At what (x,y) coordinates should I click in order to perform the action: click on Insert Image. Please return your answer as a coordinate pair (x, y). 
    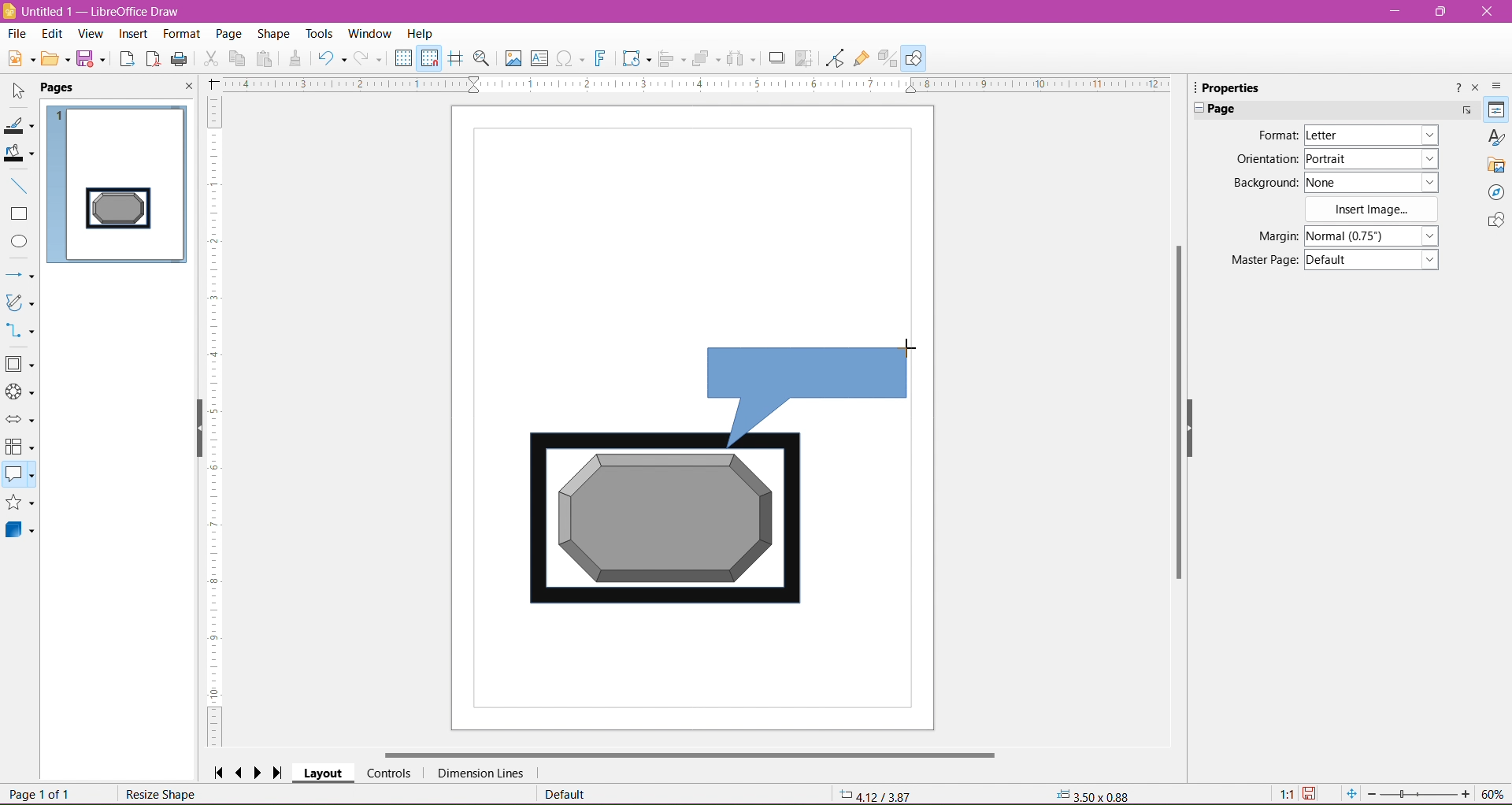
    Looking at the image, I should click on (511, 58).